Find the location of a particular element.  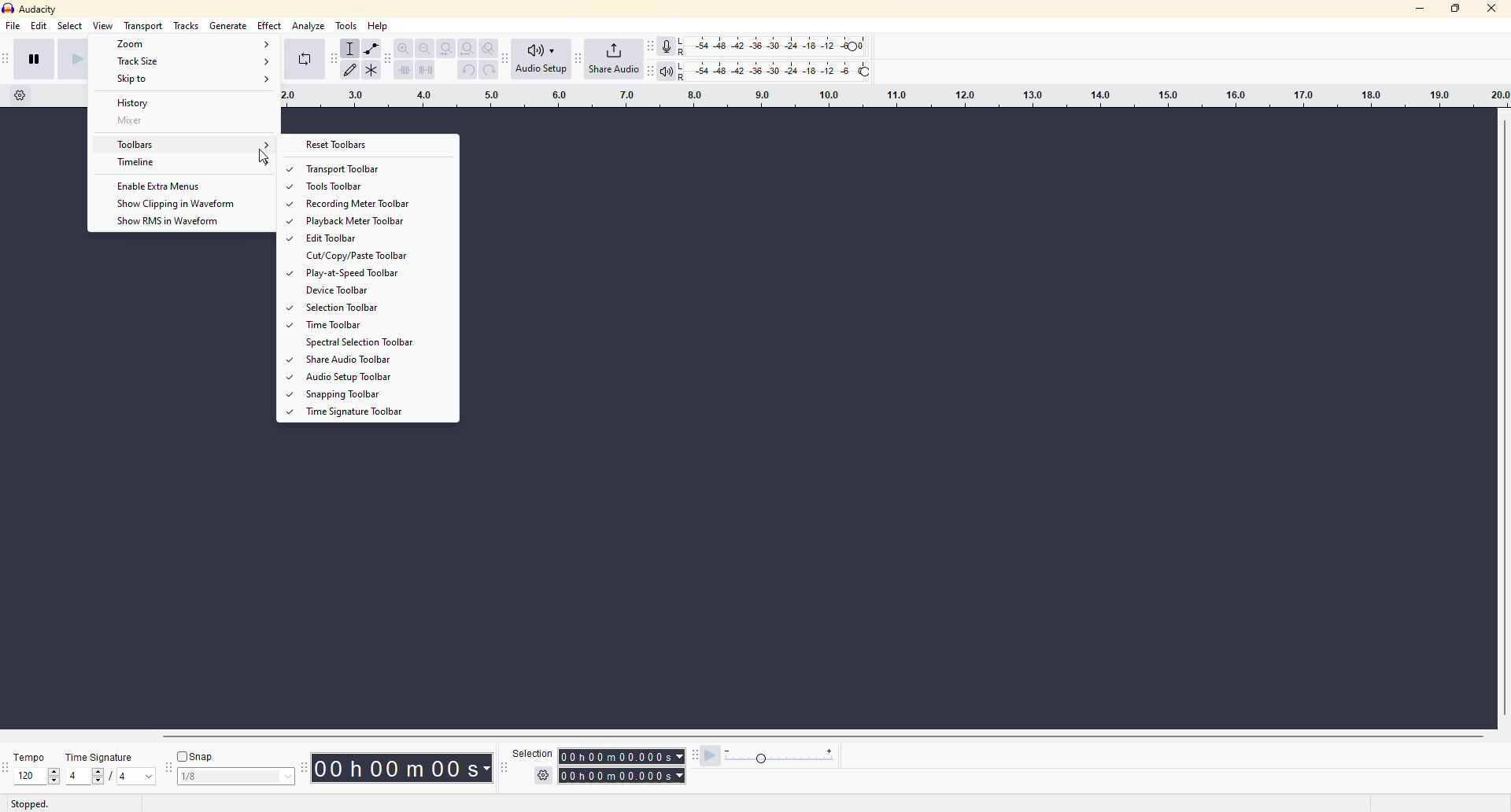

Show RMS in Waveform is located at coordinates (165, 223).